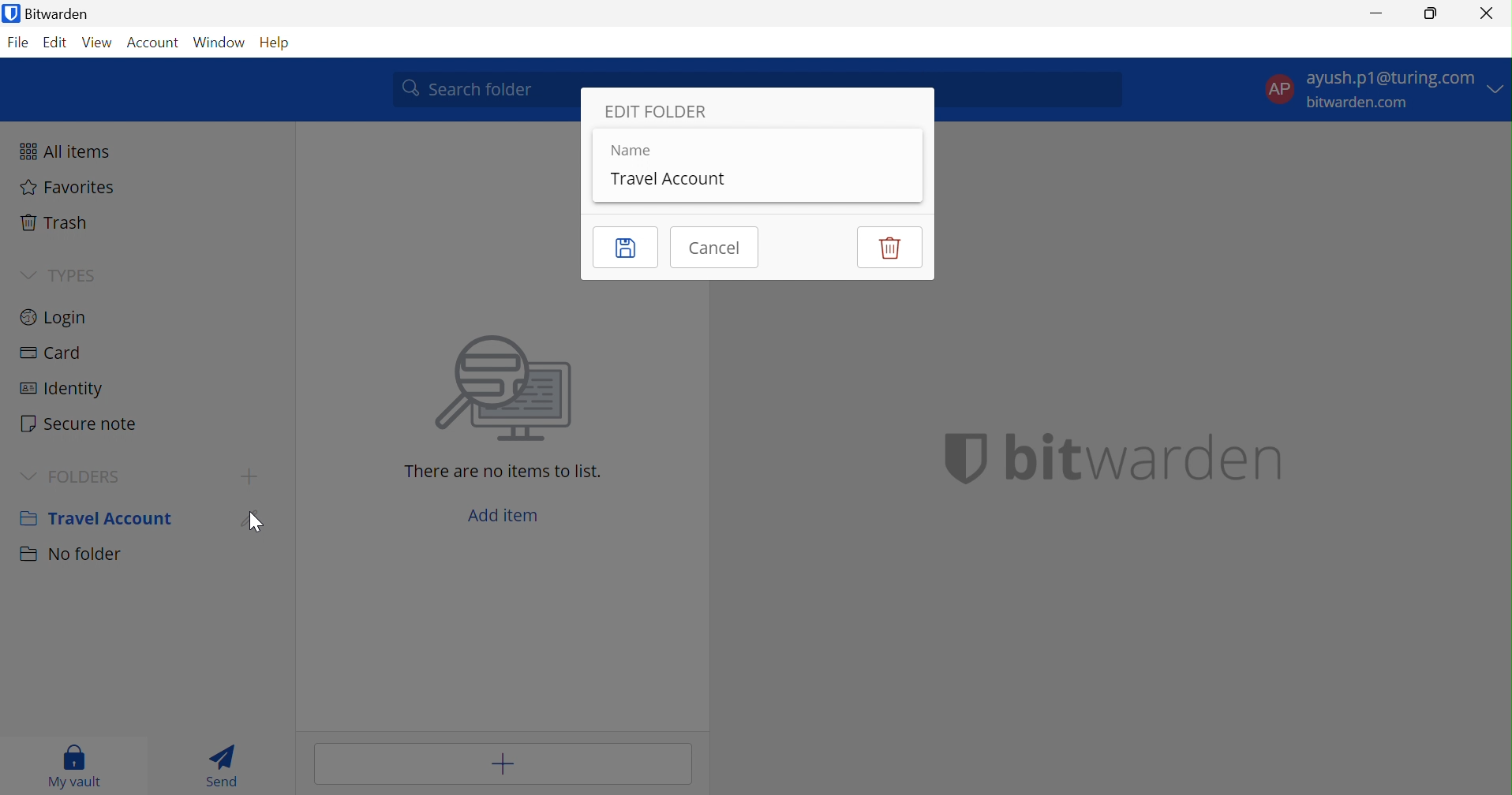 The image size is (1512, 795). What do you see at coordinates (1382, 93) in the screenshot?
I see `account options Drop Down` at bounding box center [1382, 93].